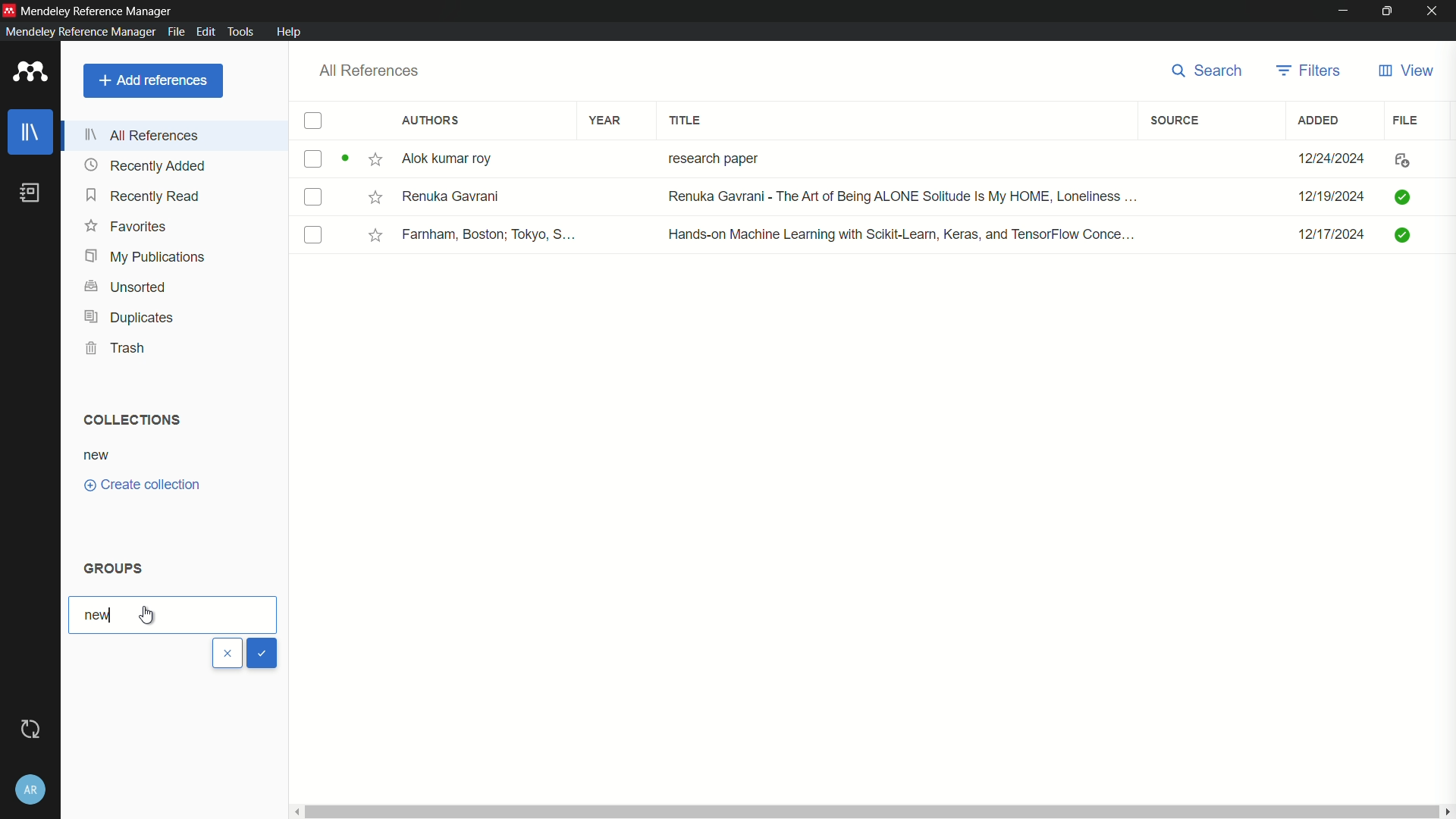  What do you see at coordinates (1404, 71) in the screenshot?
I see `view` at bounding box center [1404, 71].